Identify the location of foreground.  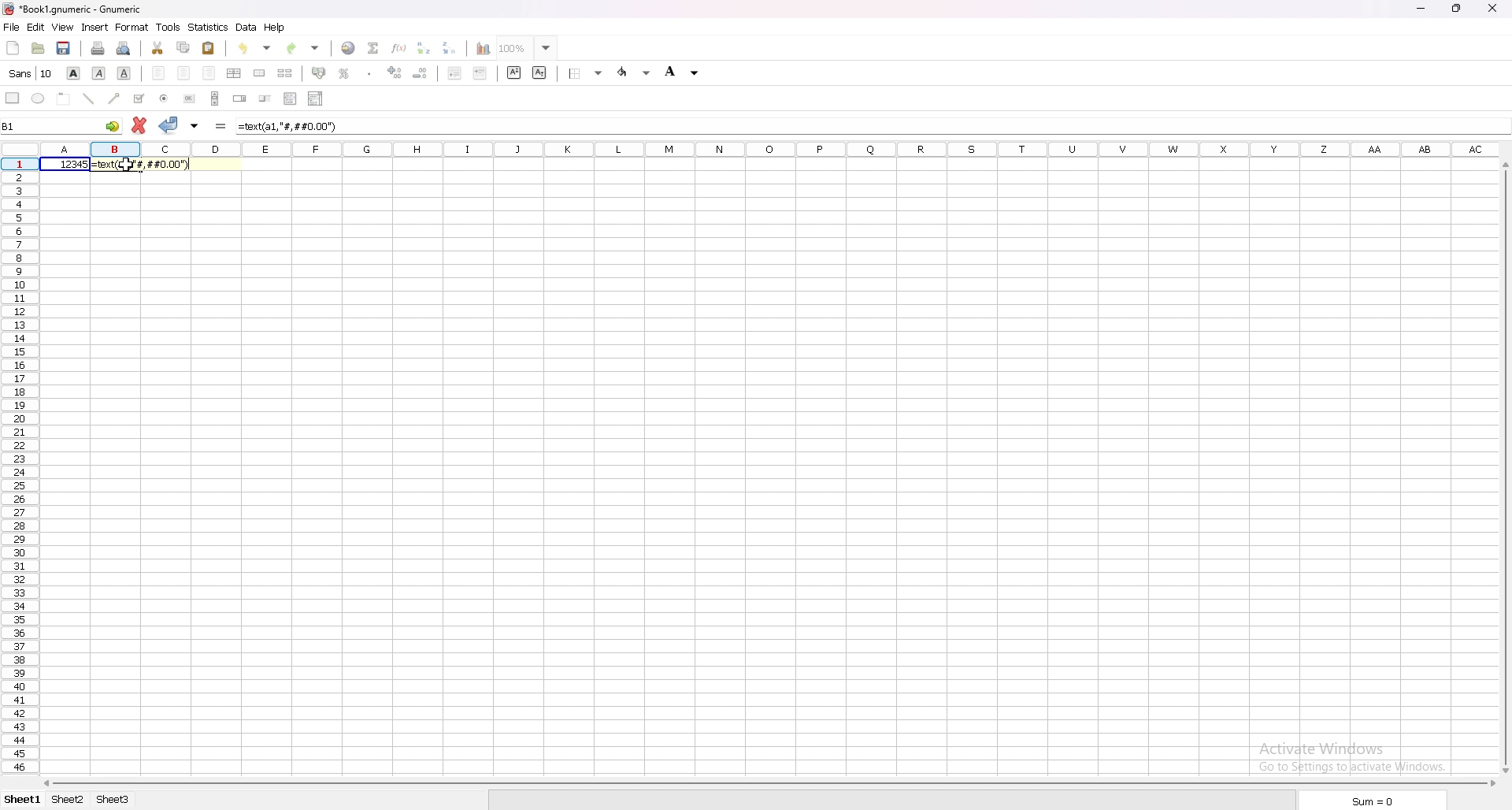
(633, 72).